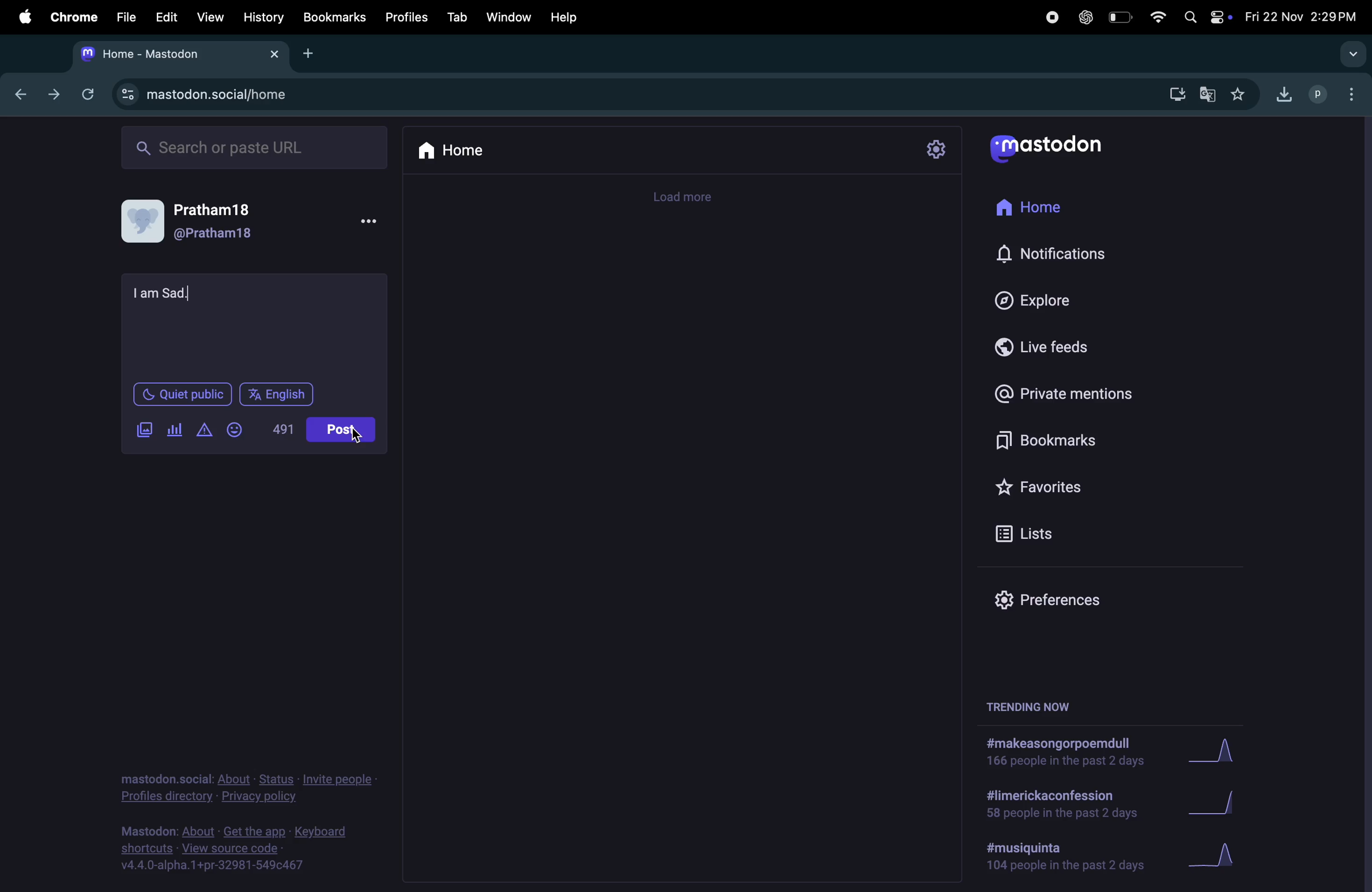  I want to click on search tab, so click(1352, 52).